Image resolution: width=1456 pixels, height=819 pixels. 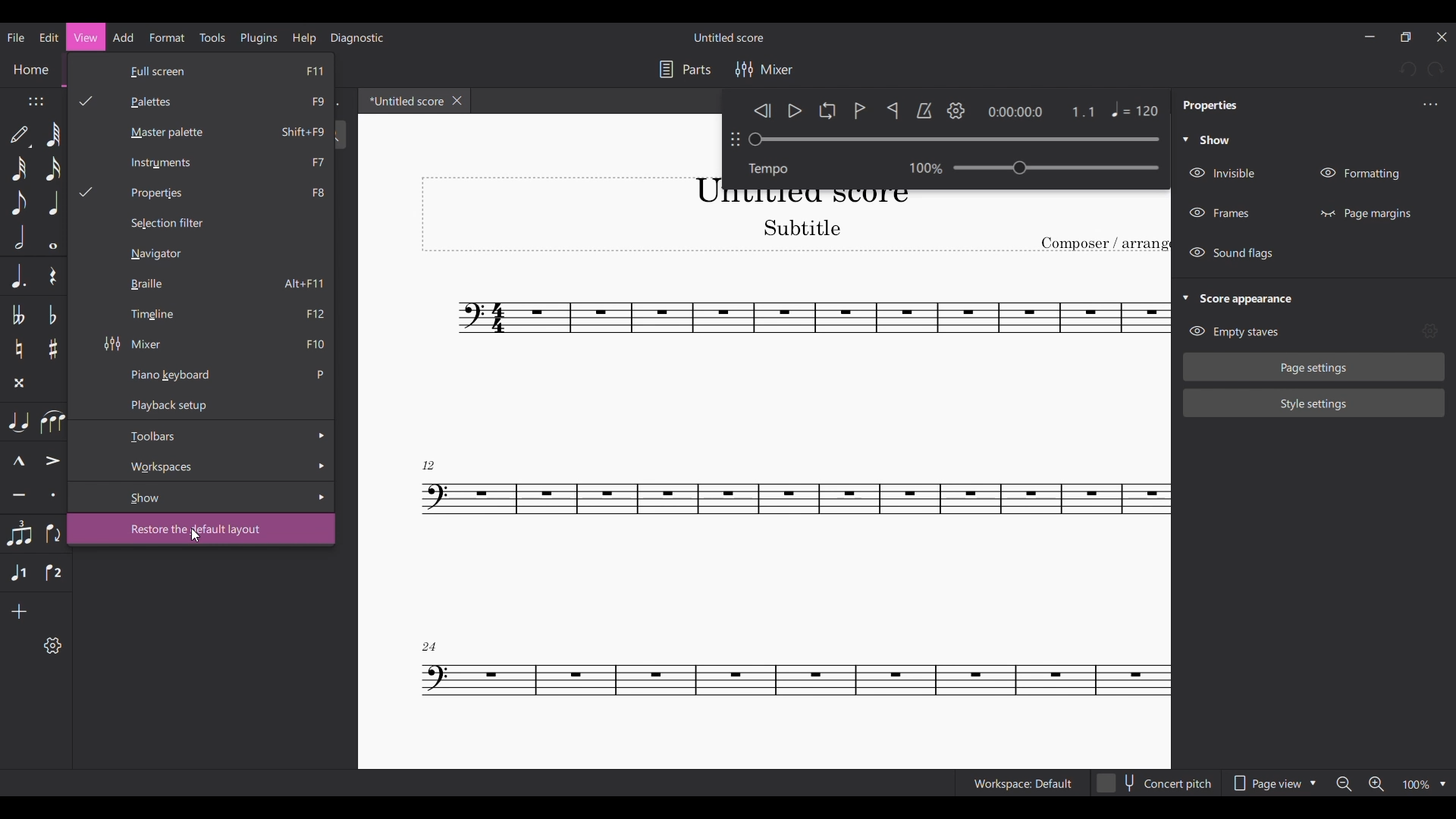 What do you see at coordinates (202, 193) in the screenshot?
I see `Properties    F8` at bounding box center [202, 193].